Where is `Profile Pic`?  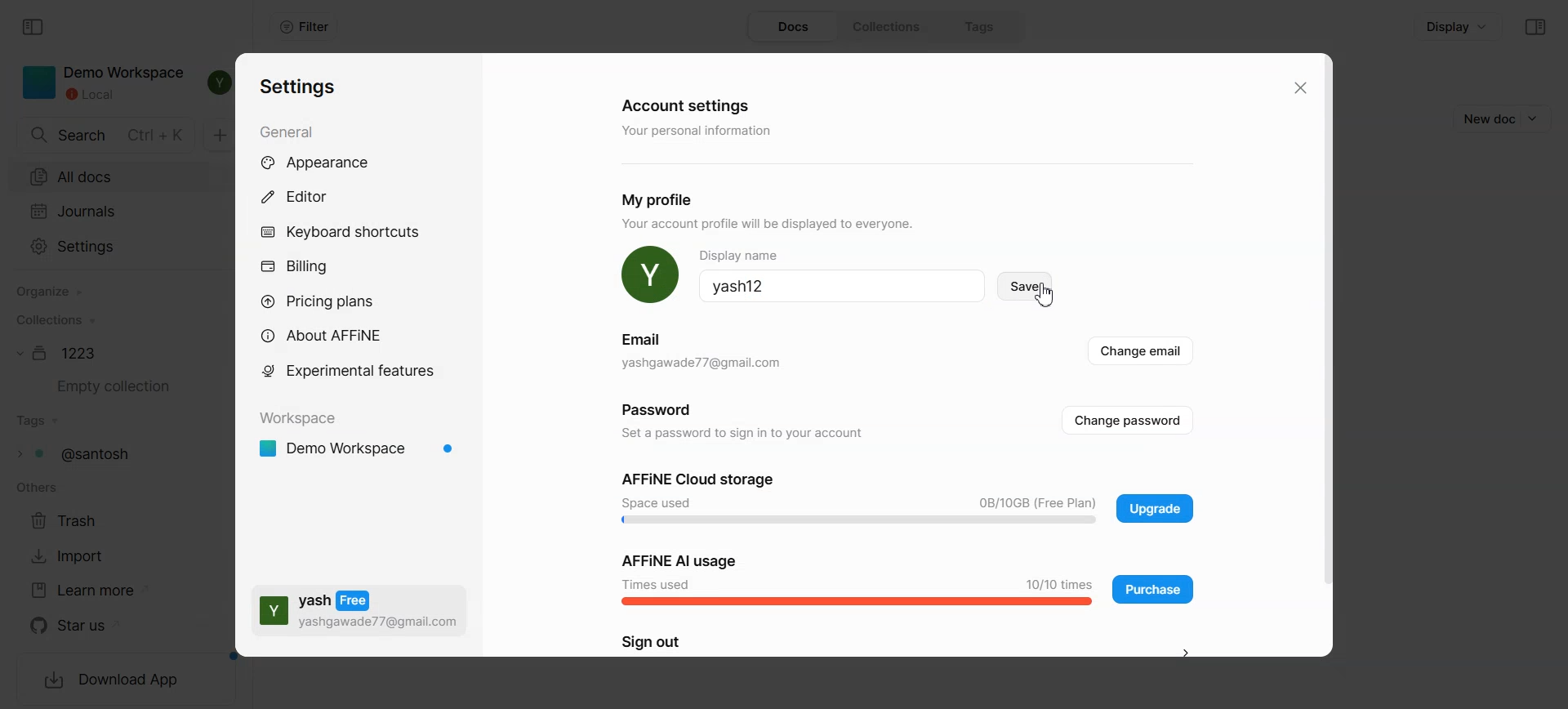
Profile Pic is located at coordinates (650, 275).